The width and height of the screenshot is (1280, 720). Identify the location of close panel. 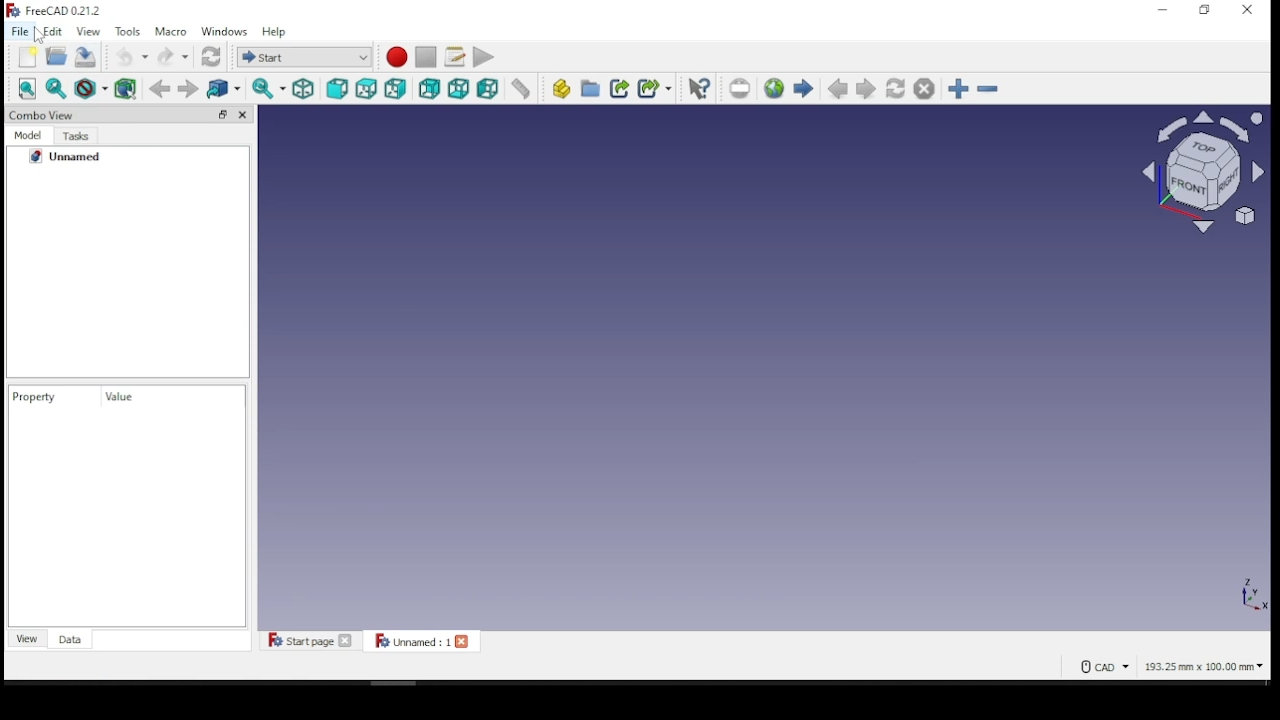
(245, 115).